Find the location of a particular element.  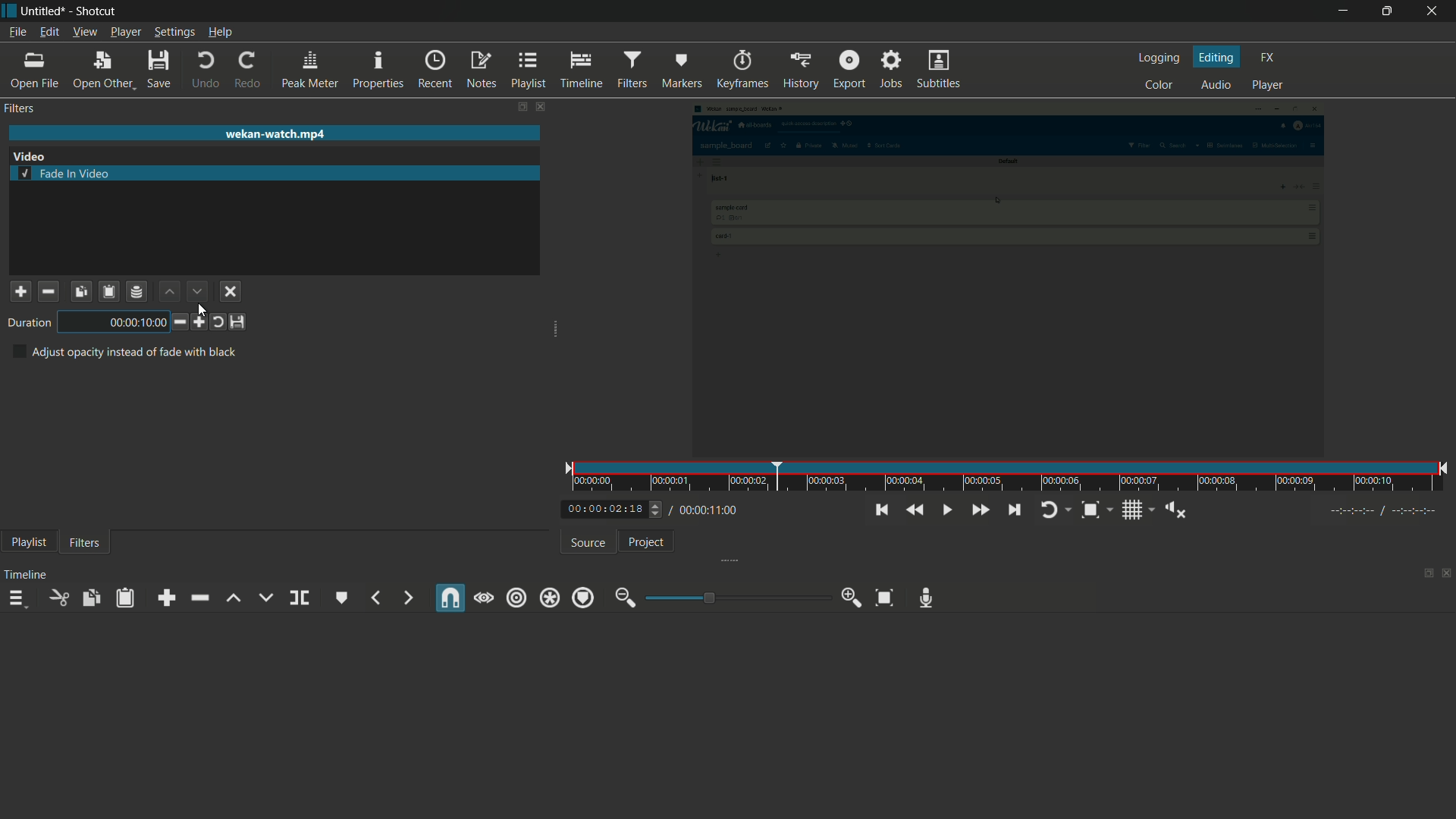

open other is located at coordinates (102, 68).